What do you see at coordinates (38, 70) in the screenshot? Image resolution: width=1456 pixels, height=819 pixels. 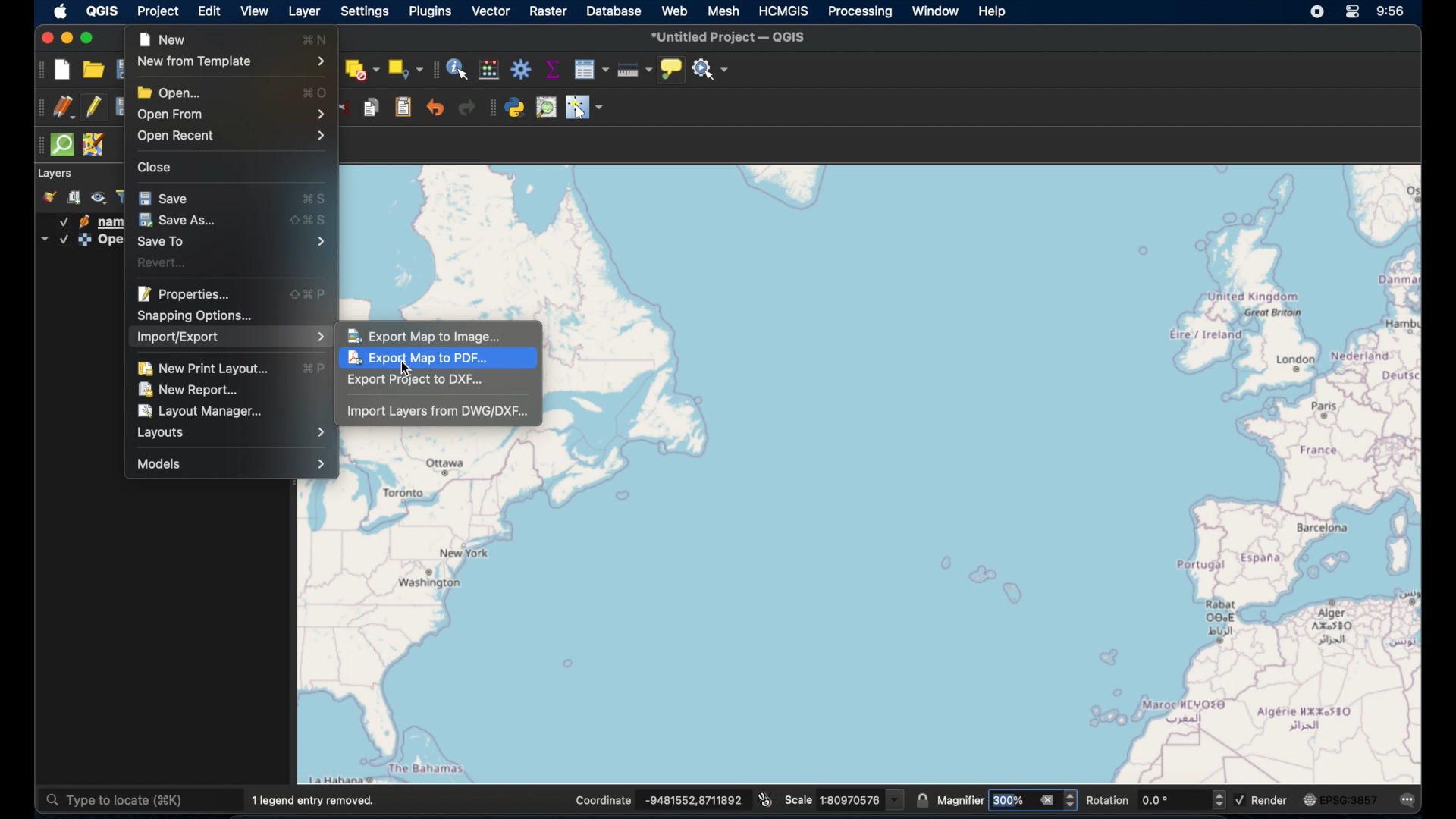 I see `project toolbar` at bounding box center [38, 70].